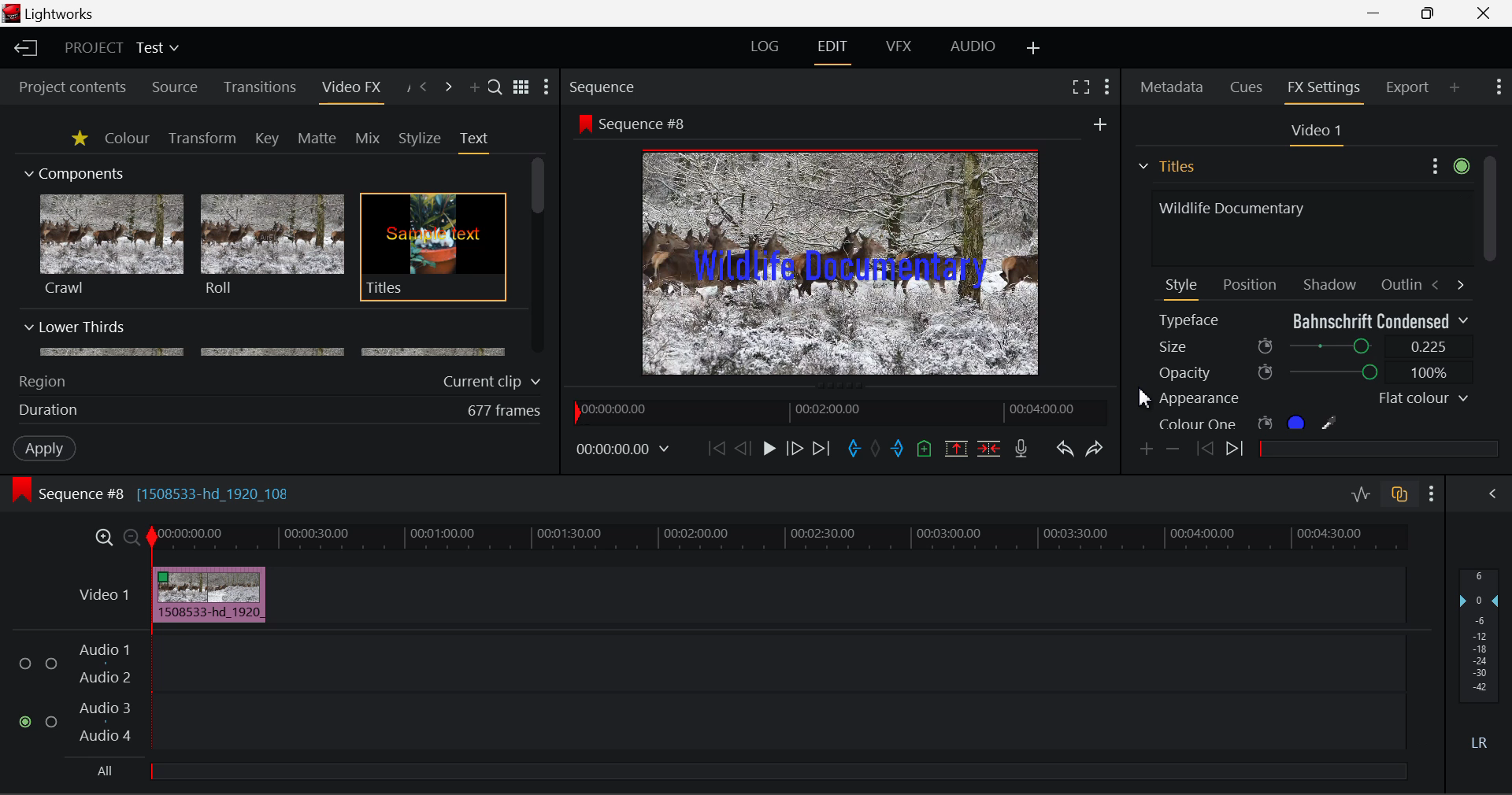 This screenshot has width=1512, height=795. What do you see at coordinates (50, 411) in the screenshot?
I see `Duration` at bounding box center [50, 411].